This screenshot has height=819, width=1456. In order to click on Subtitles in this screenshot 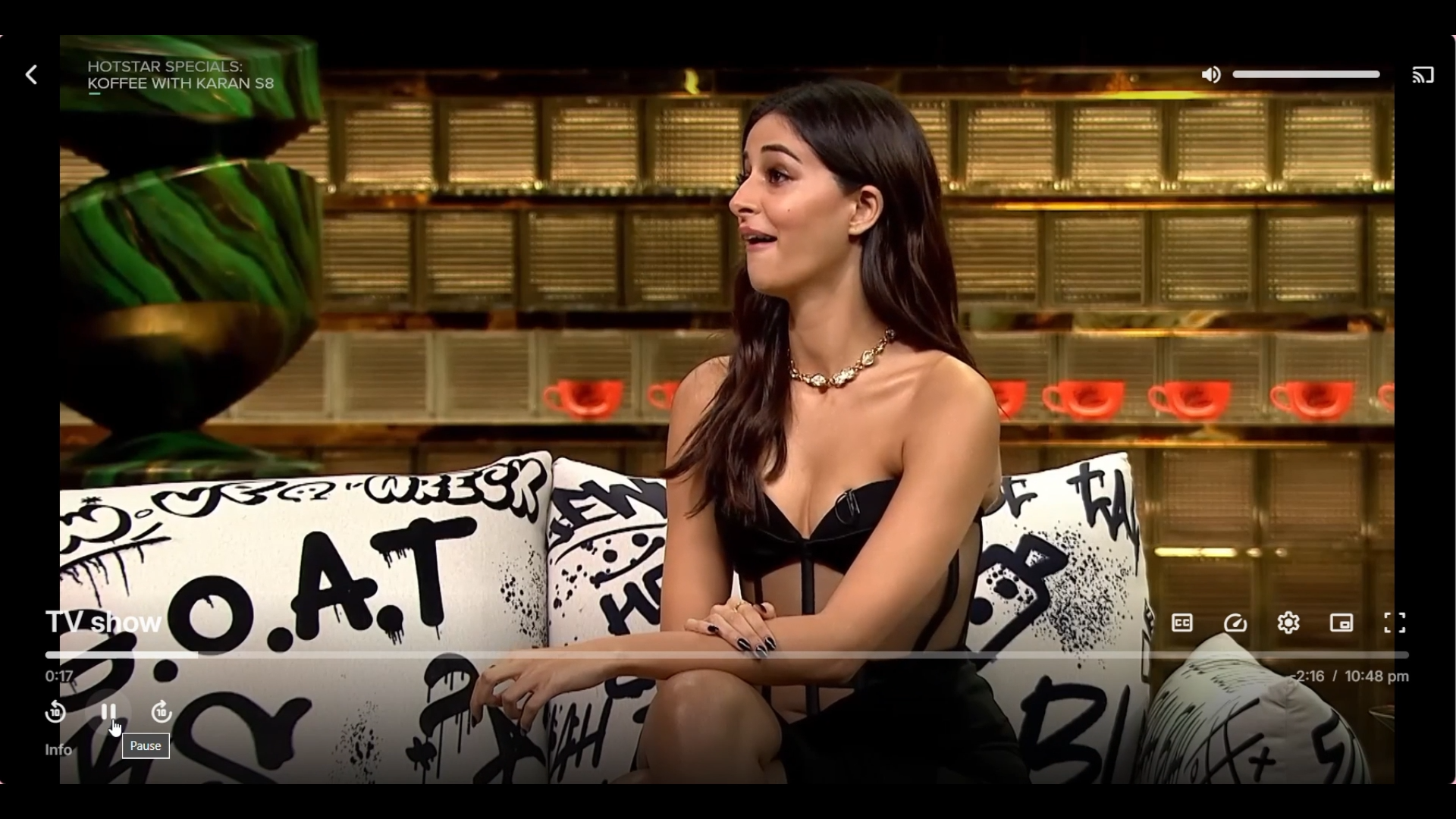, I will do `click(1183, 623)`.